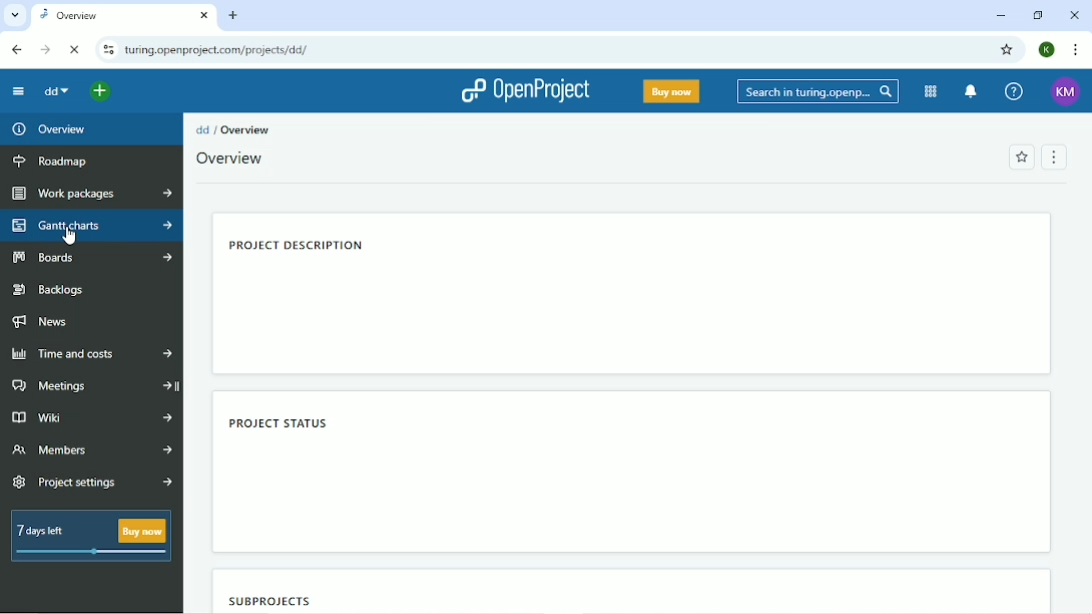  Describe the element at coordinates (91, 450) in the screenshot. I see `Members` at that location.